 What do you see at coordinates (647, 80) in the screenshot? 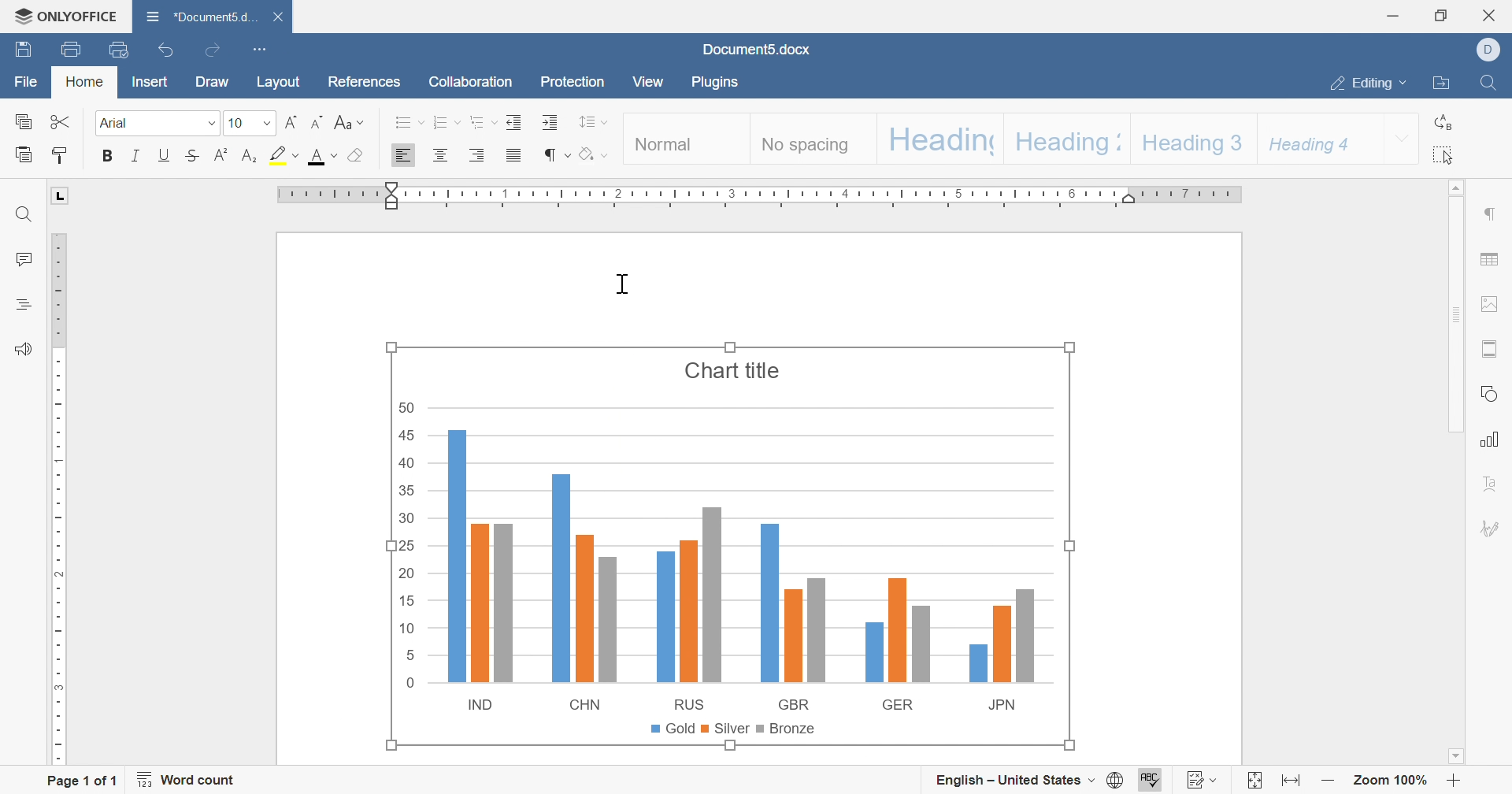
I see `view` at bounding box center [647, 80].